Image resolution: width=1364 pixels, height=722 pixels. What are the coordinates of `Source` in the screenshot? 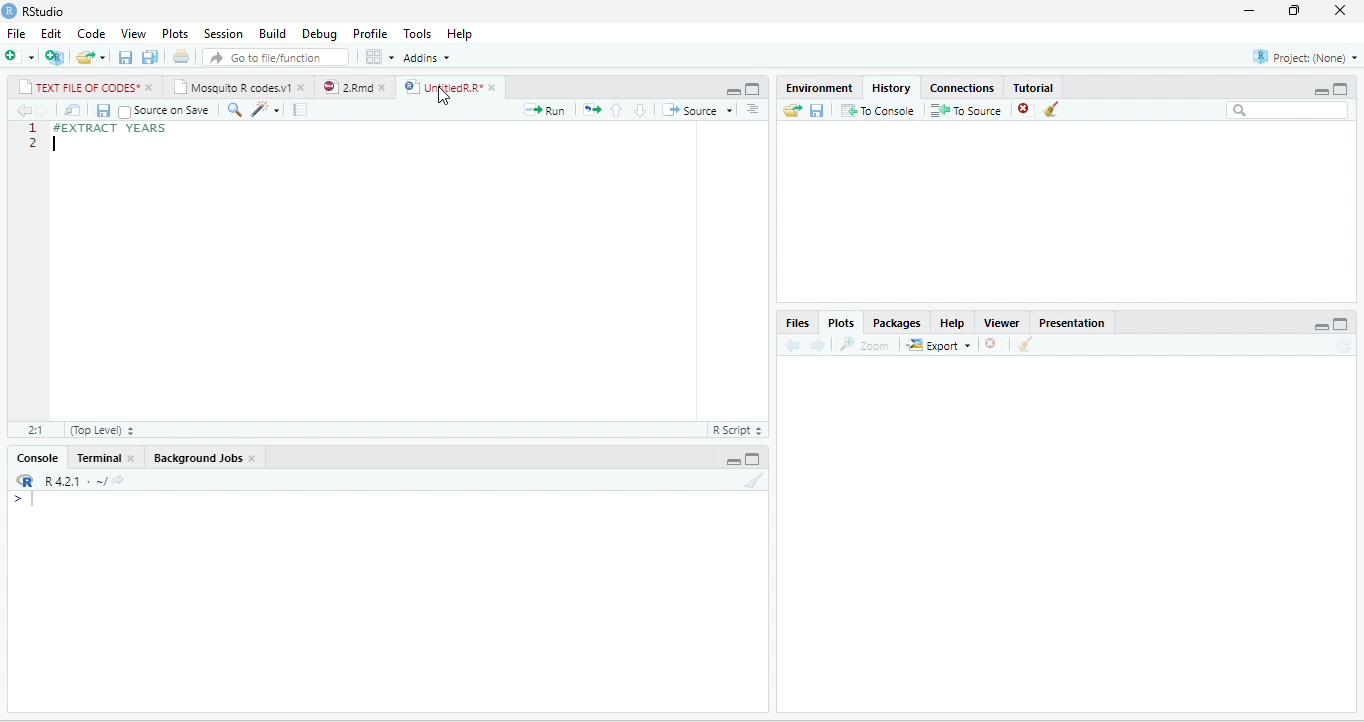 It's located at (698, 110).